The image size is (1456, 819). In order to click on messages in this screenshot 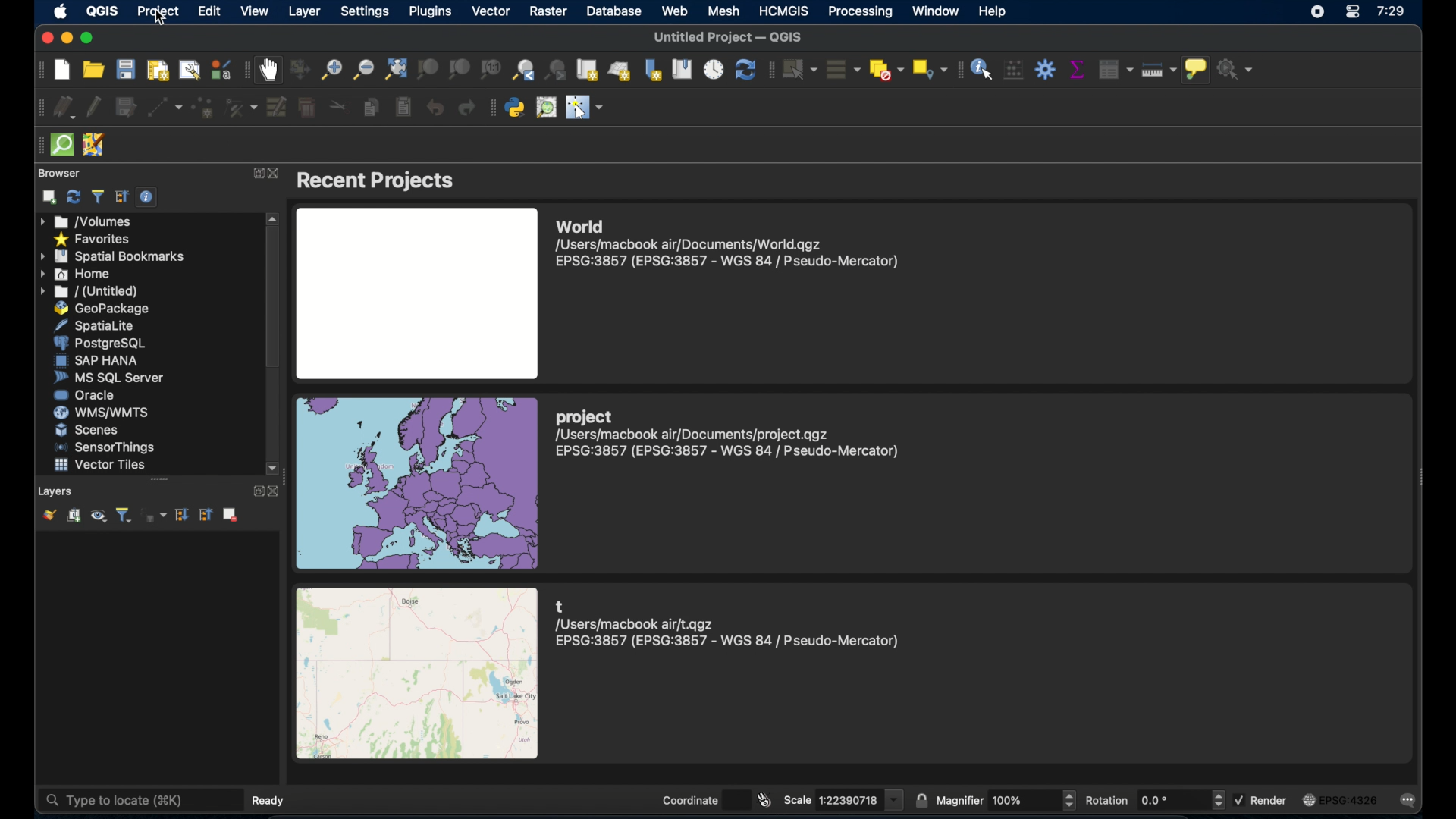, I will do `click(1411, 802)`.